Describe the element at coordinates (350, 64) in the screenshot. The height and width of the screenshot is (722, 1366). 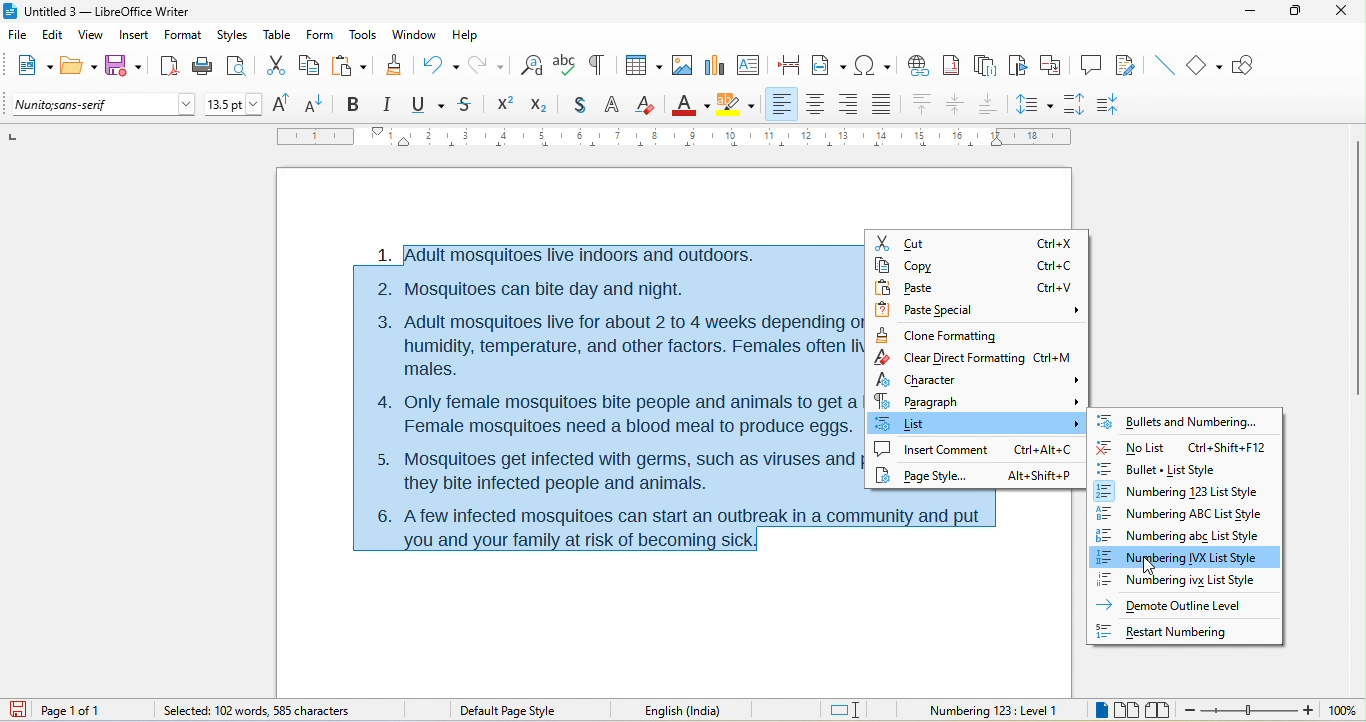
I see `paste` at that location.